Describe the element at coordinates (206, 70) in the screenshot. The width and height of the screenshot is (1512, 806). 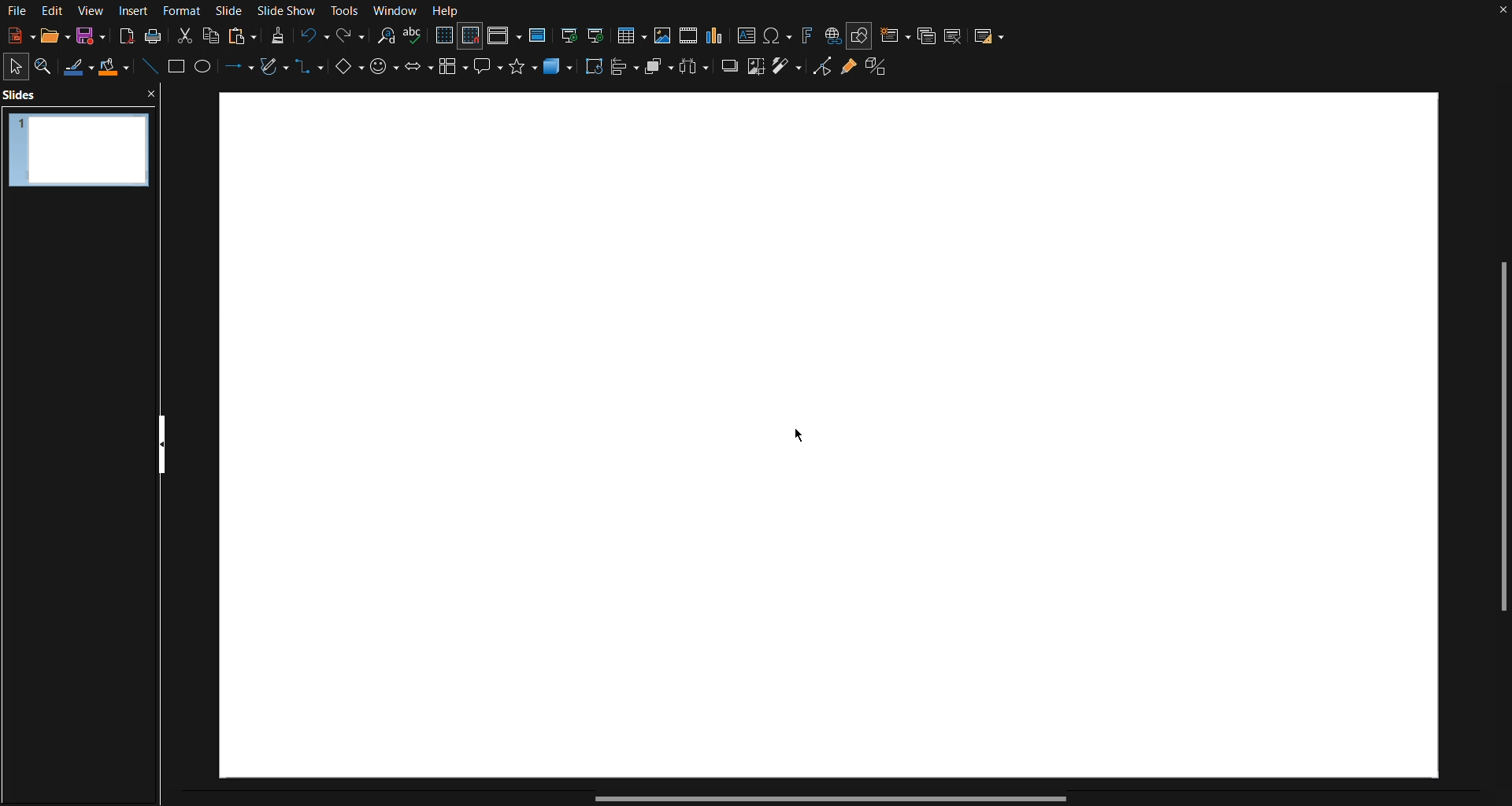
I see `Circle` at that location.